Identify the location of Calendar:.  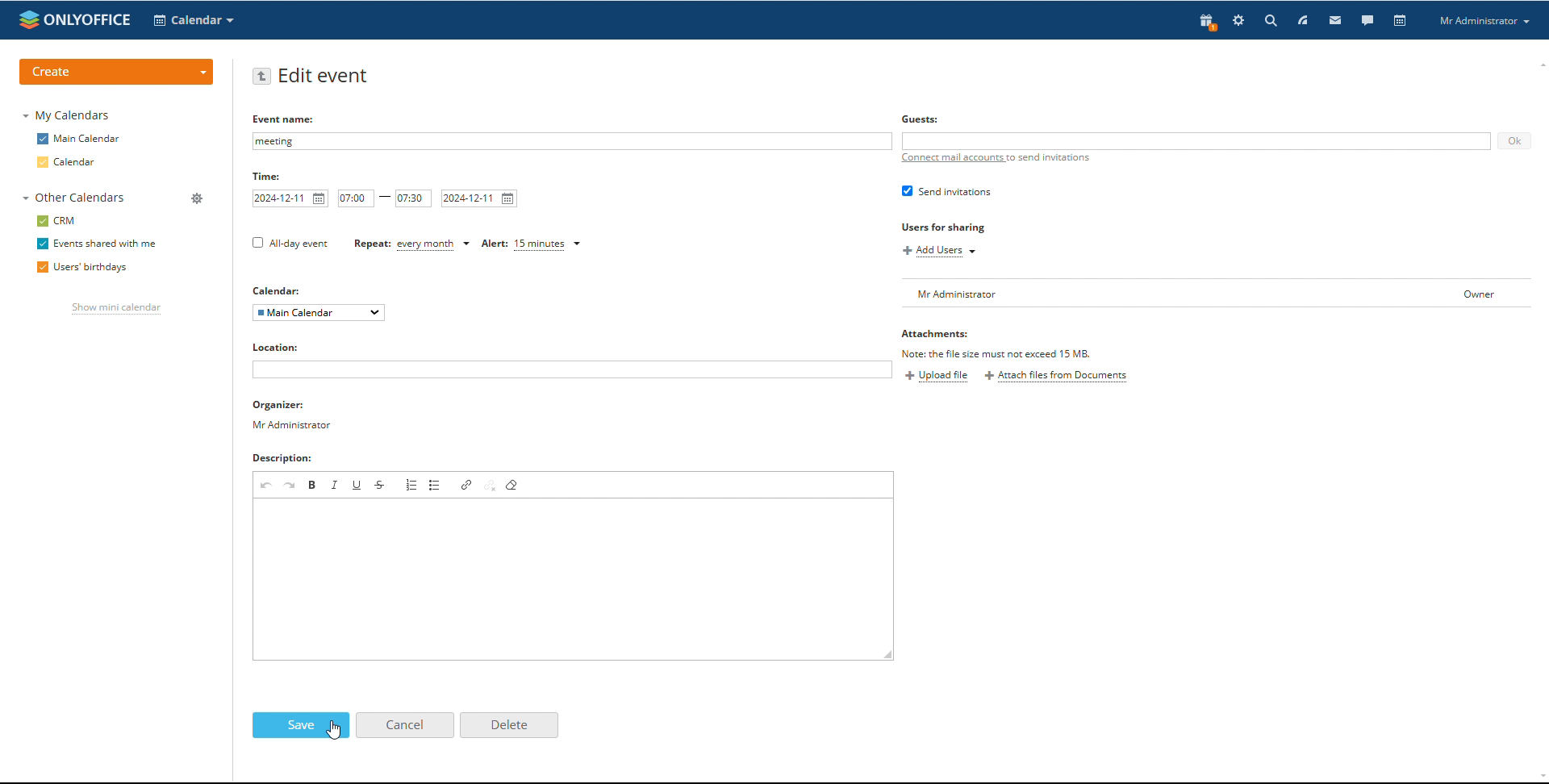
(280, 290).